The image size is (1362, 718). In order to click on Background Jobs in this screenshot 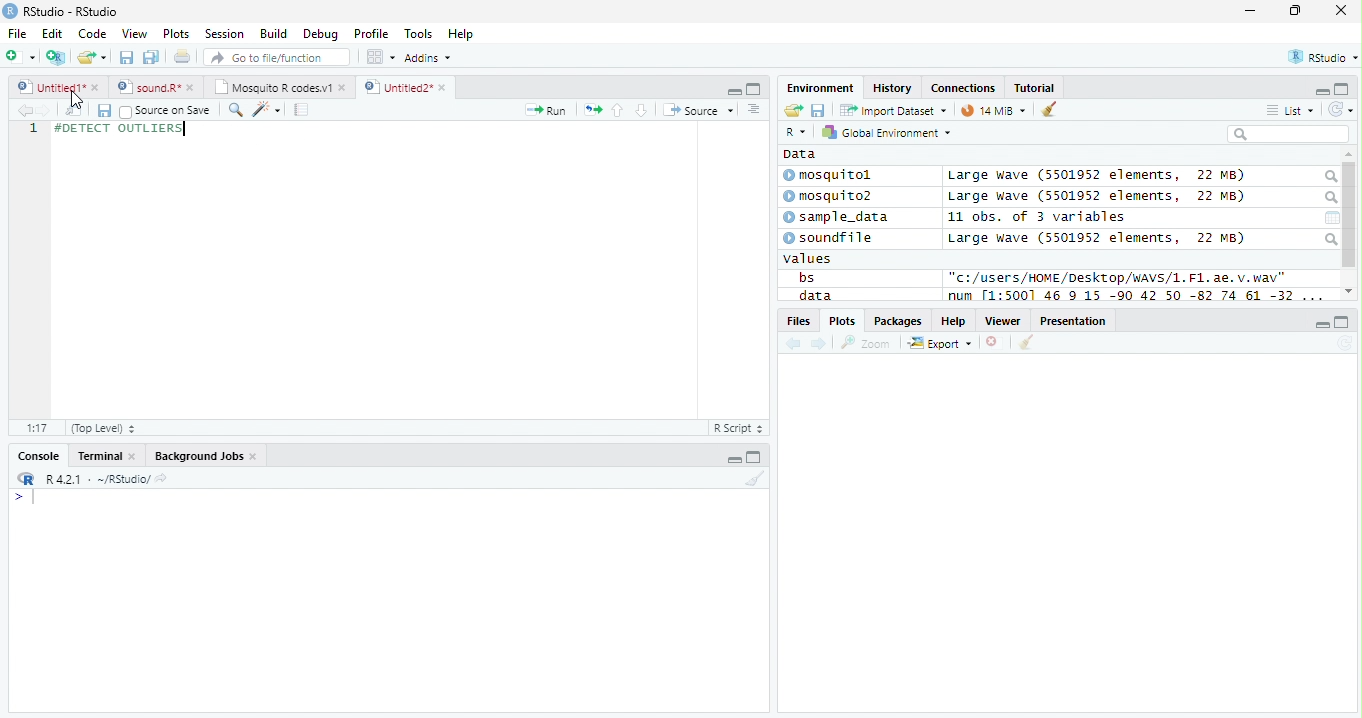, I will do `click(204, 456)`.